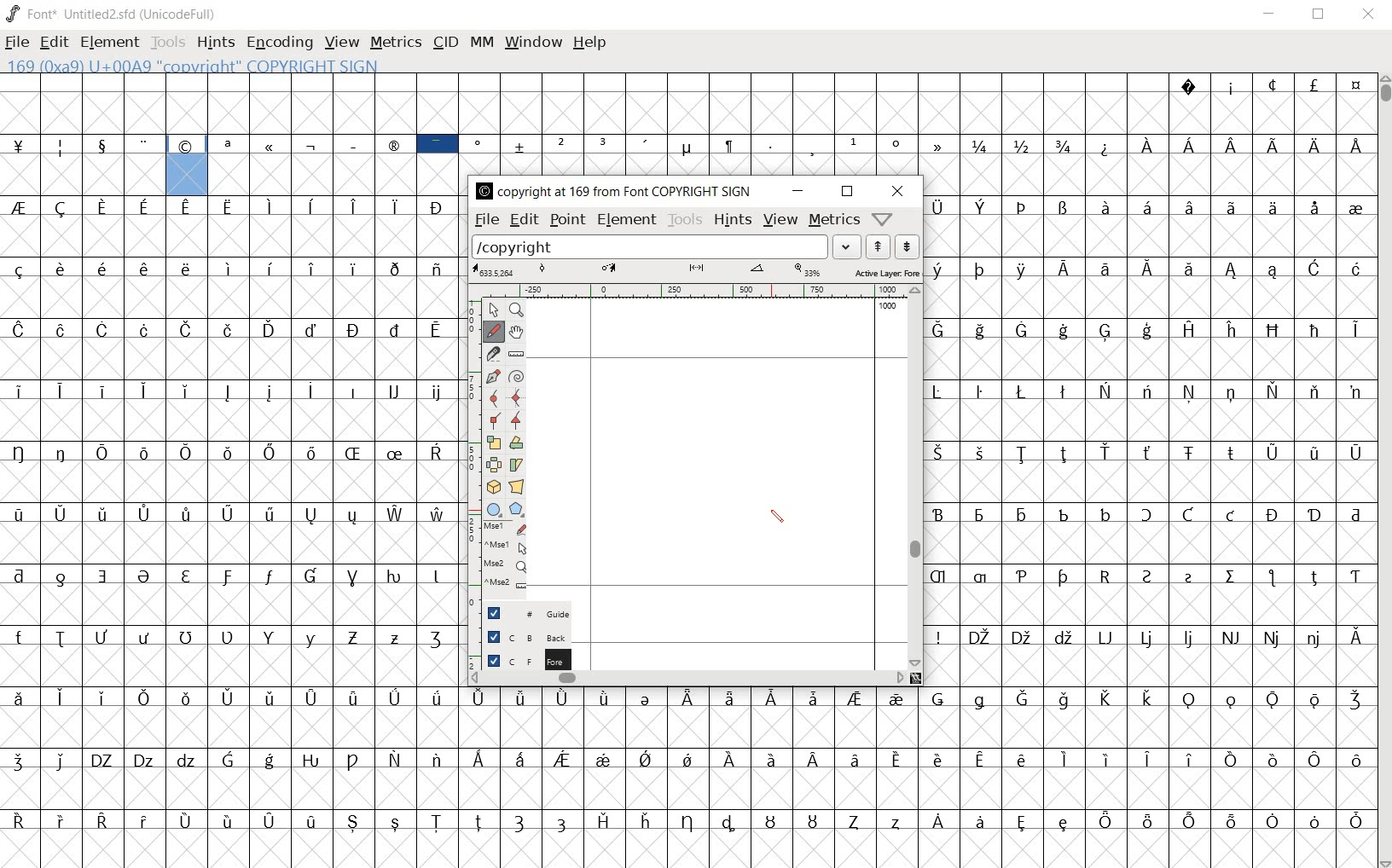 The image size is (1392, 868). I want to click on Font* Untitled2.sfd (UnicodeFull), so click(113, 14).